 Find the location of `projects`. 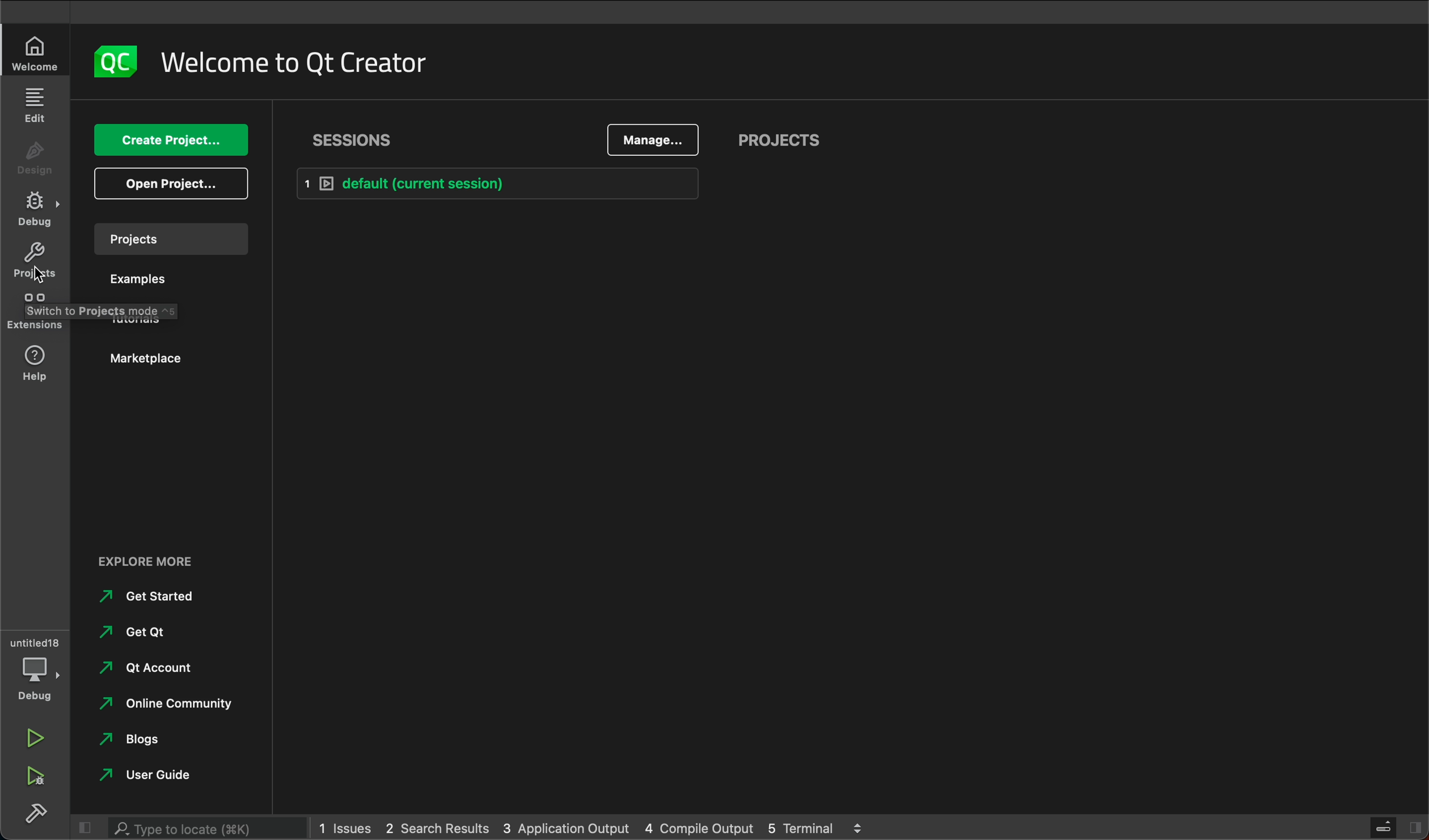

projects is located at coordinates (793, 138).